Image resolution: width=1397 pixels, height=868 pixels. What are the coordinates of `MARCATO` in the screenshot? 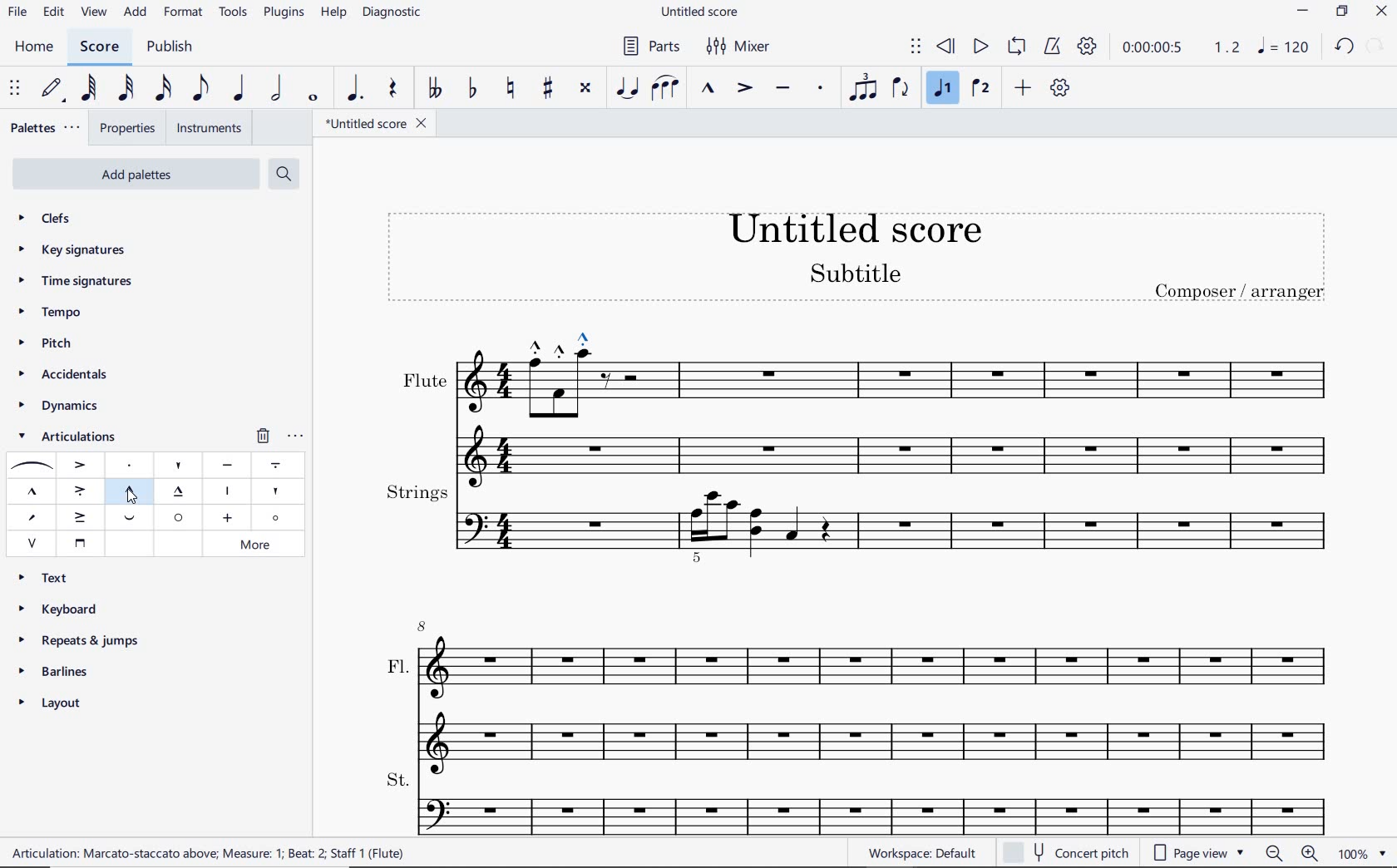 It's located at (709, 89).